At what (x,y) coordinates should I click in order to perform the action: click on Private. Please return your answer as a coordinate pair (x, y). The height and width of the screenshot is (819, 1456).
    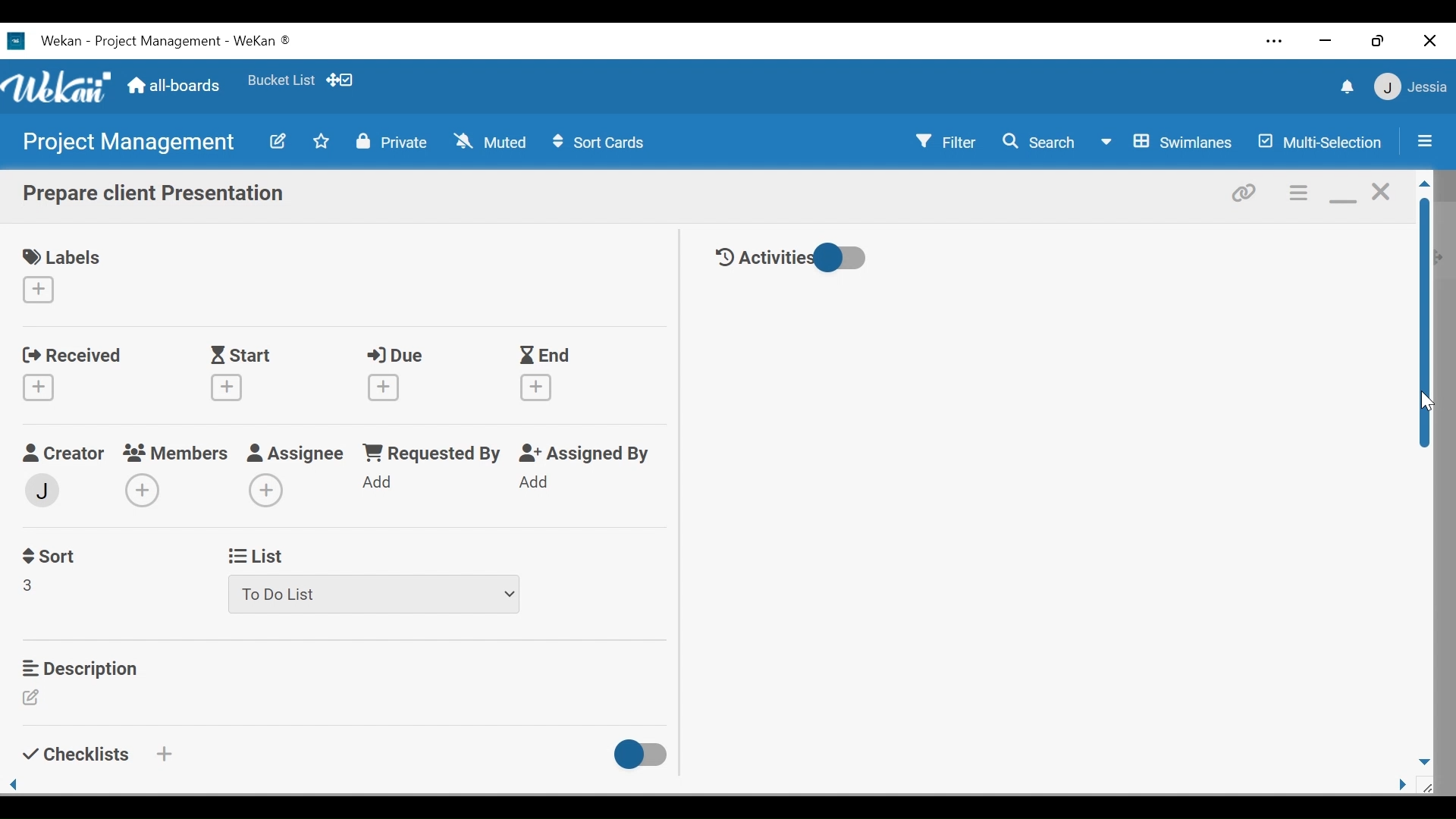
    Looking at the image, I should click on (391, 143).